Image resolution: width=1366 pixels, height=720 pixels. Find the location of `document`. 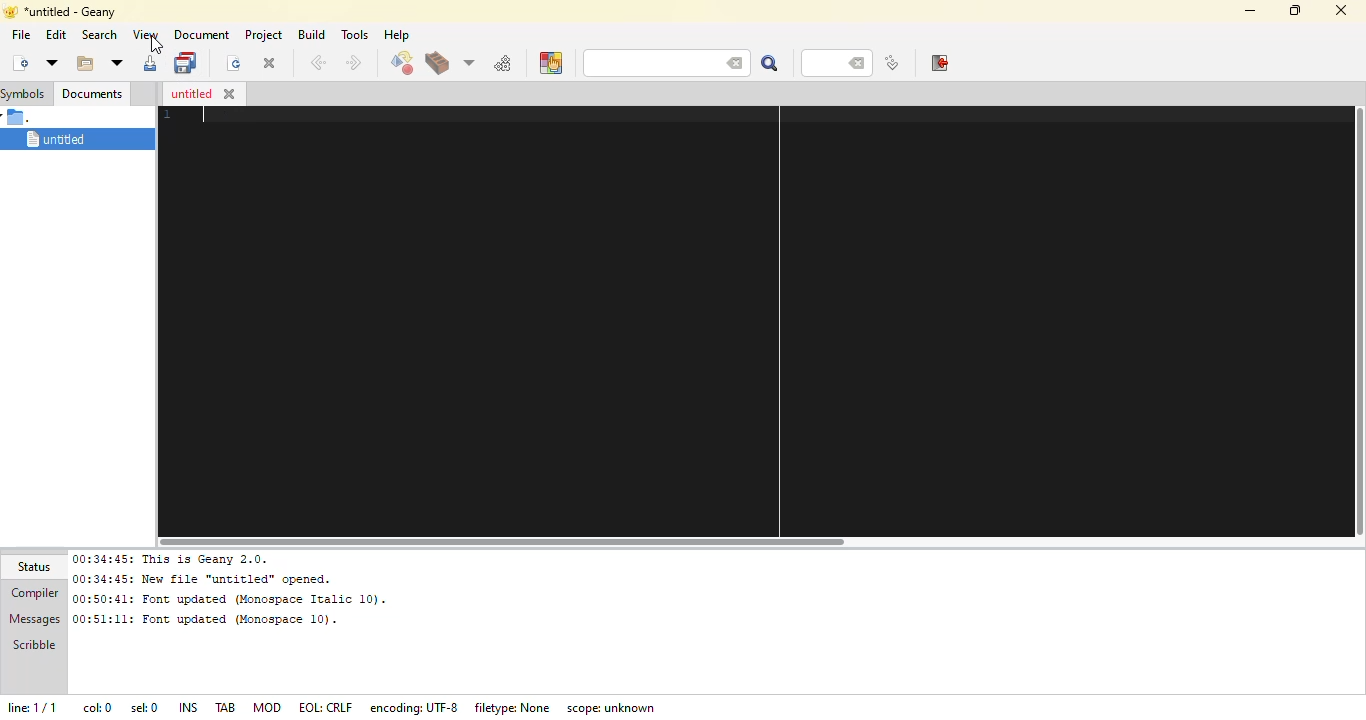

document is located at coordinates (201, 34).